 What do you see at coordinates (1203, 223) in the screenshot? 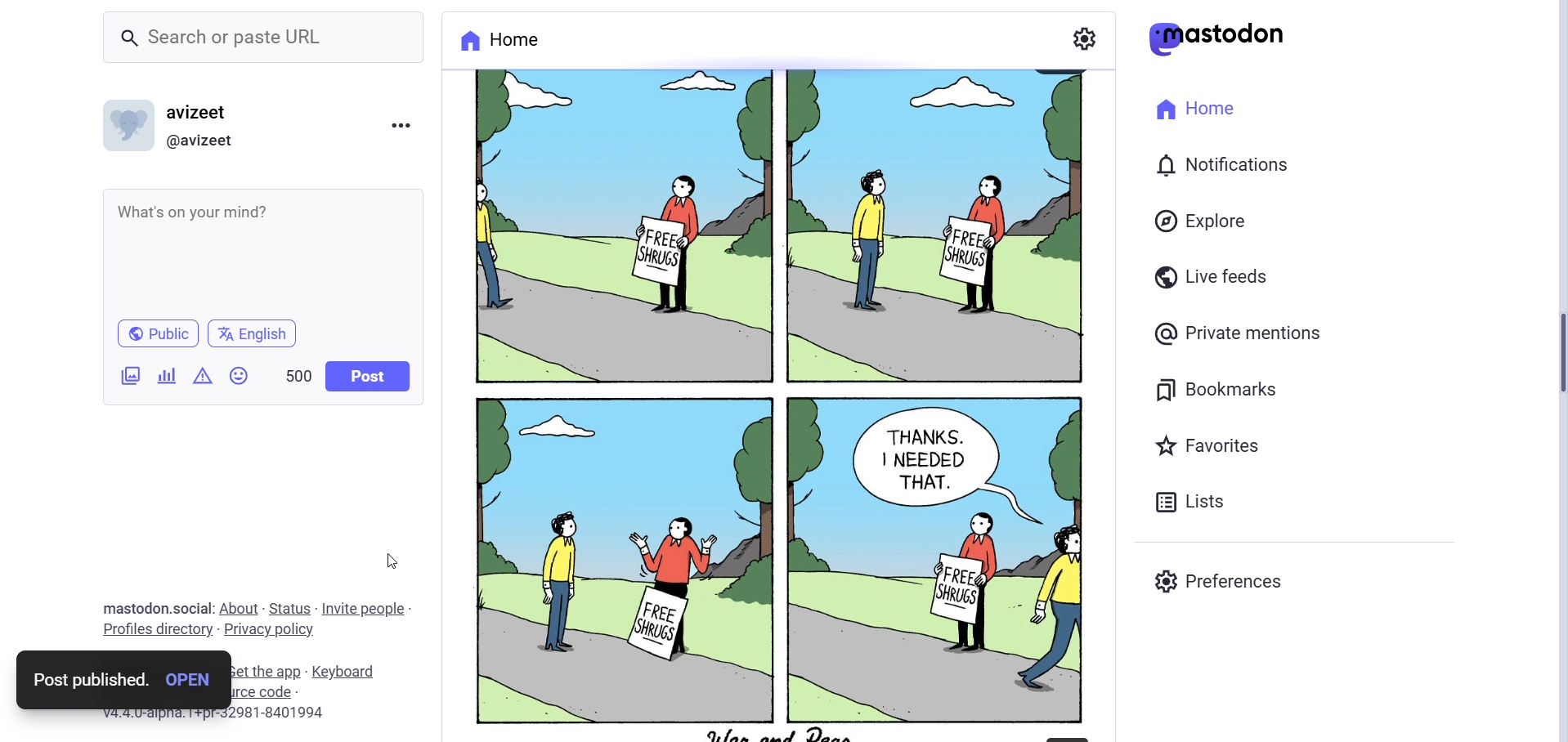
I see `Explore` at bounding box center [1203, 223].